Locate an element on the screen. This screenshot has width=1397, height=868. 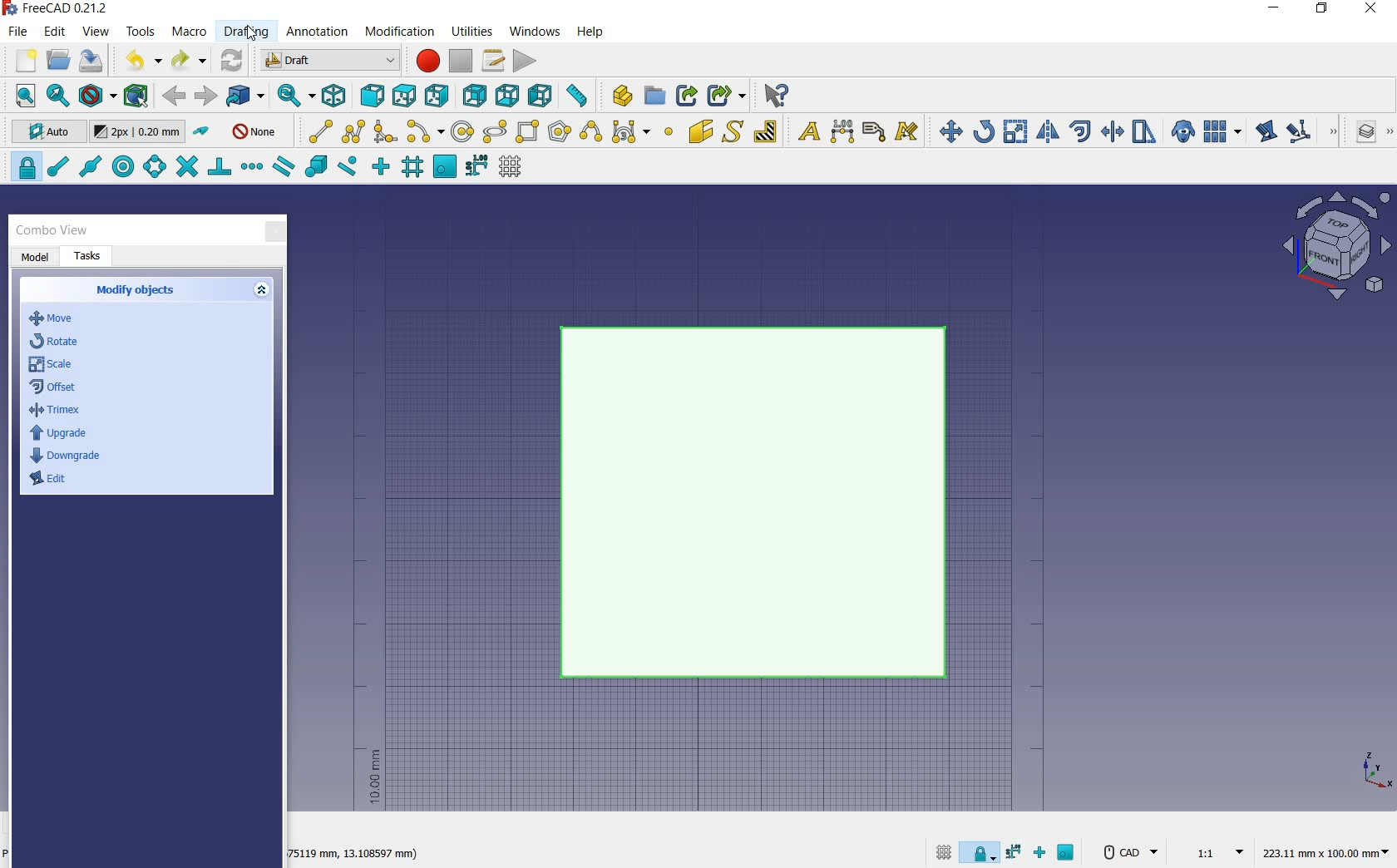
point is located at coordinates (668, 133).